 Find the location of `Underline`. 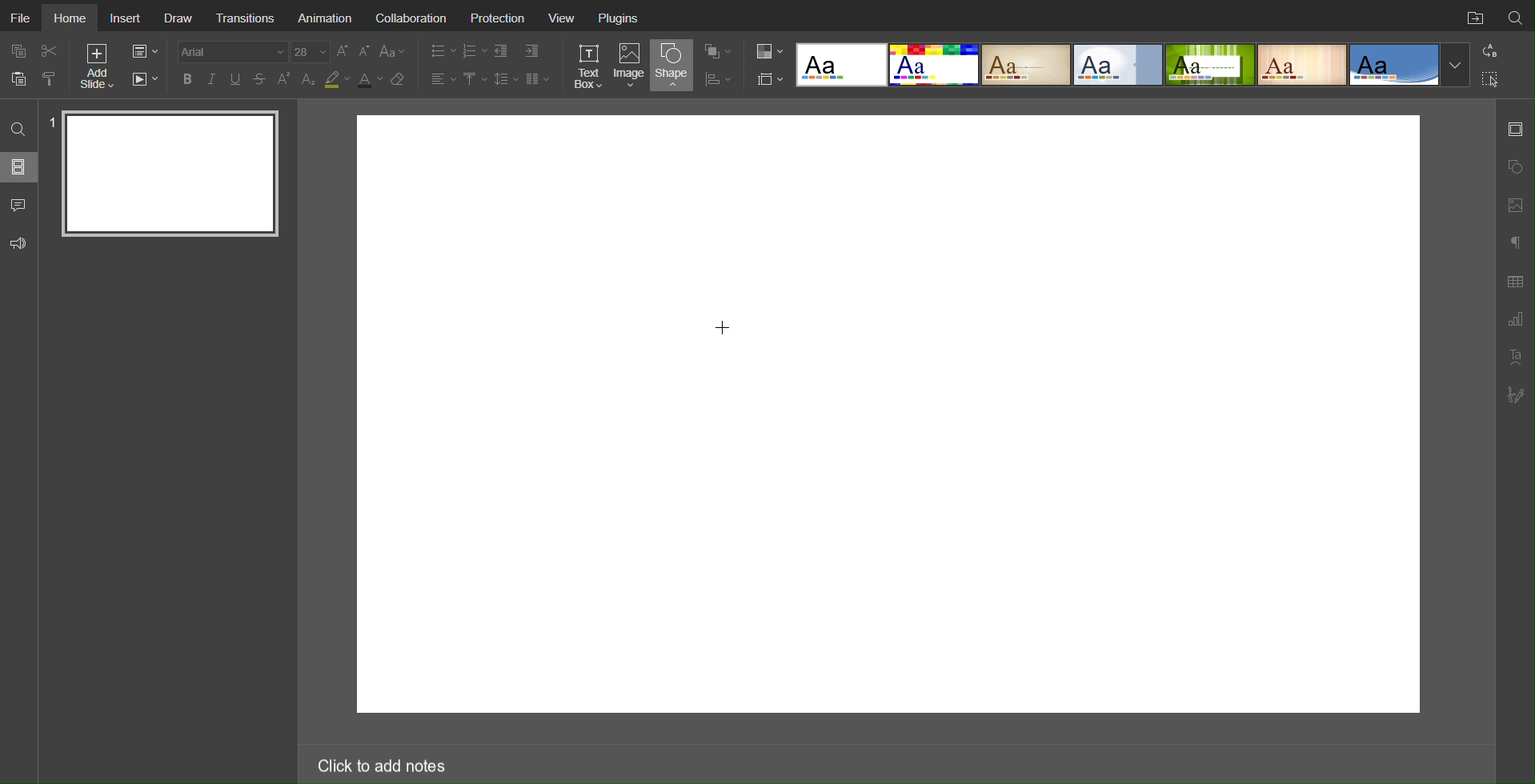

Underline is located at coordinates (237, 79).